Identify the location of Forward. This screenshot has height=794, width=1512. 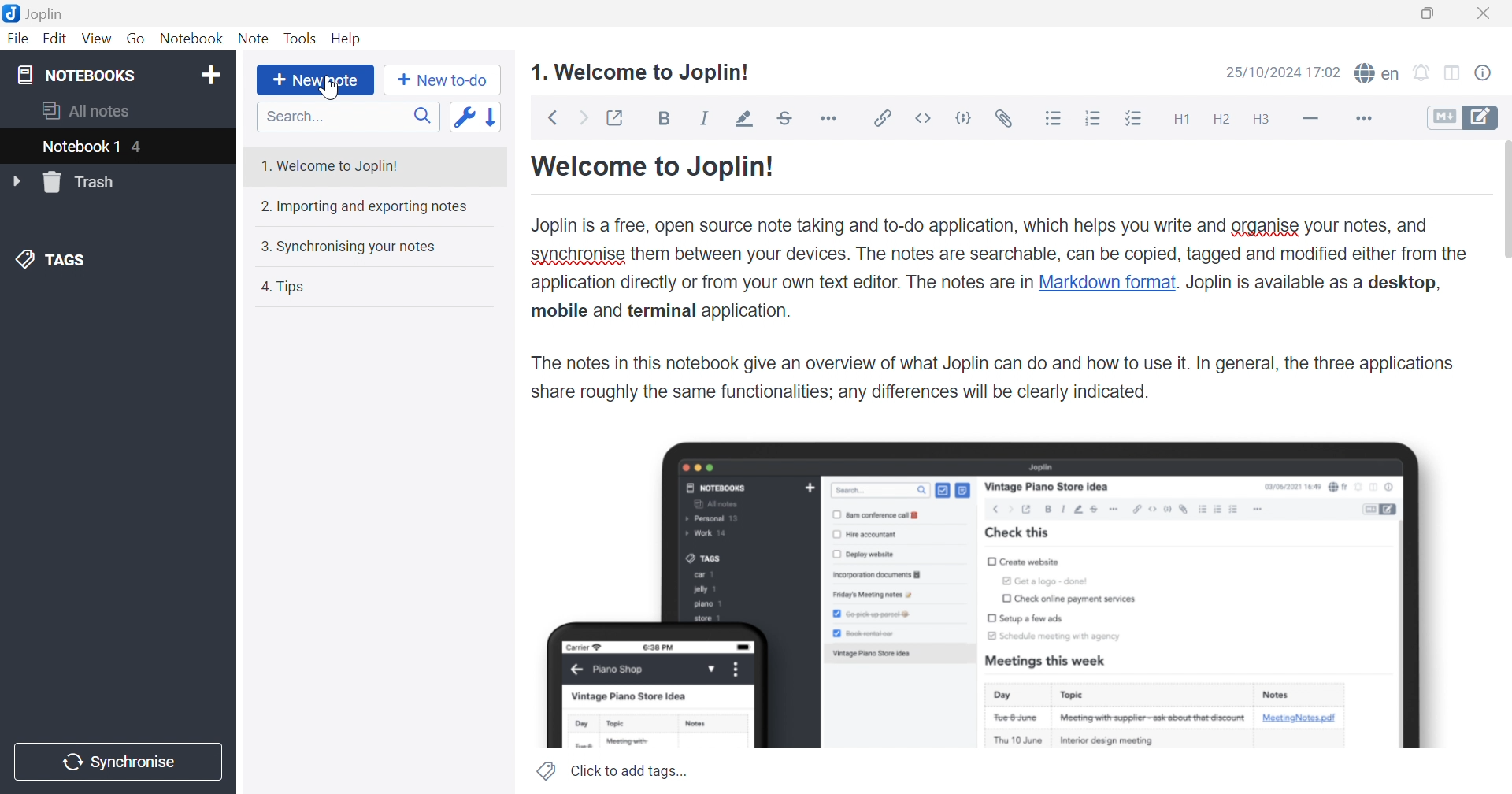
(584, 117).